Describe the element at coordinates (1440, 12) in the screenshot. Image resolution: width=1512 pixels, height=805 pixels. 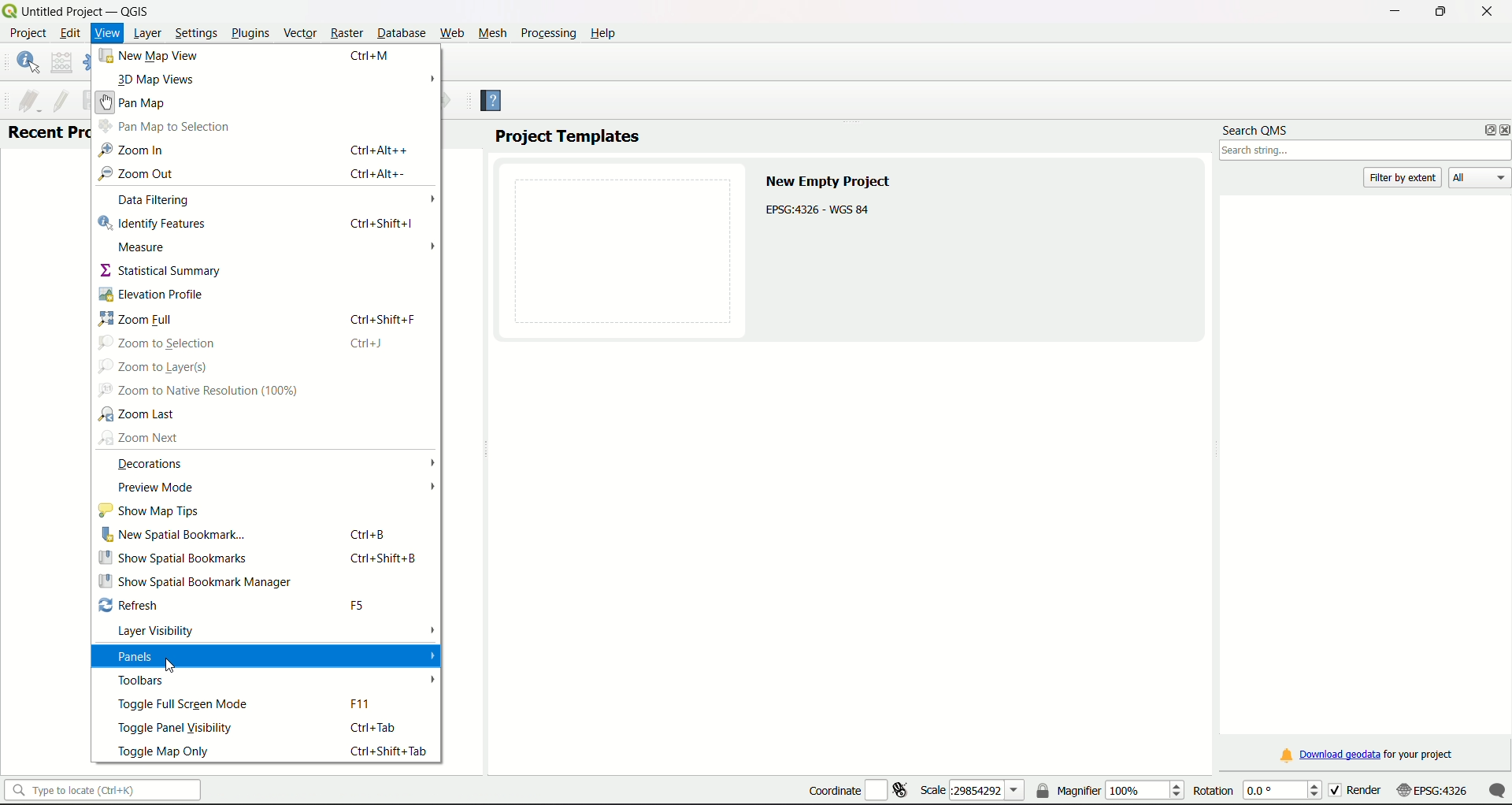
I see `minimize/maximize` at that location.